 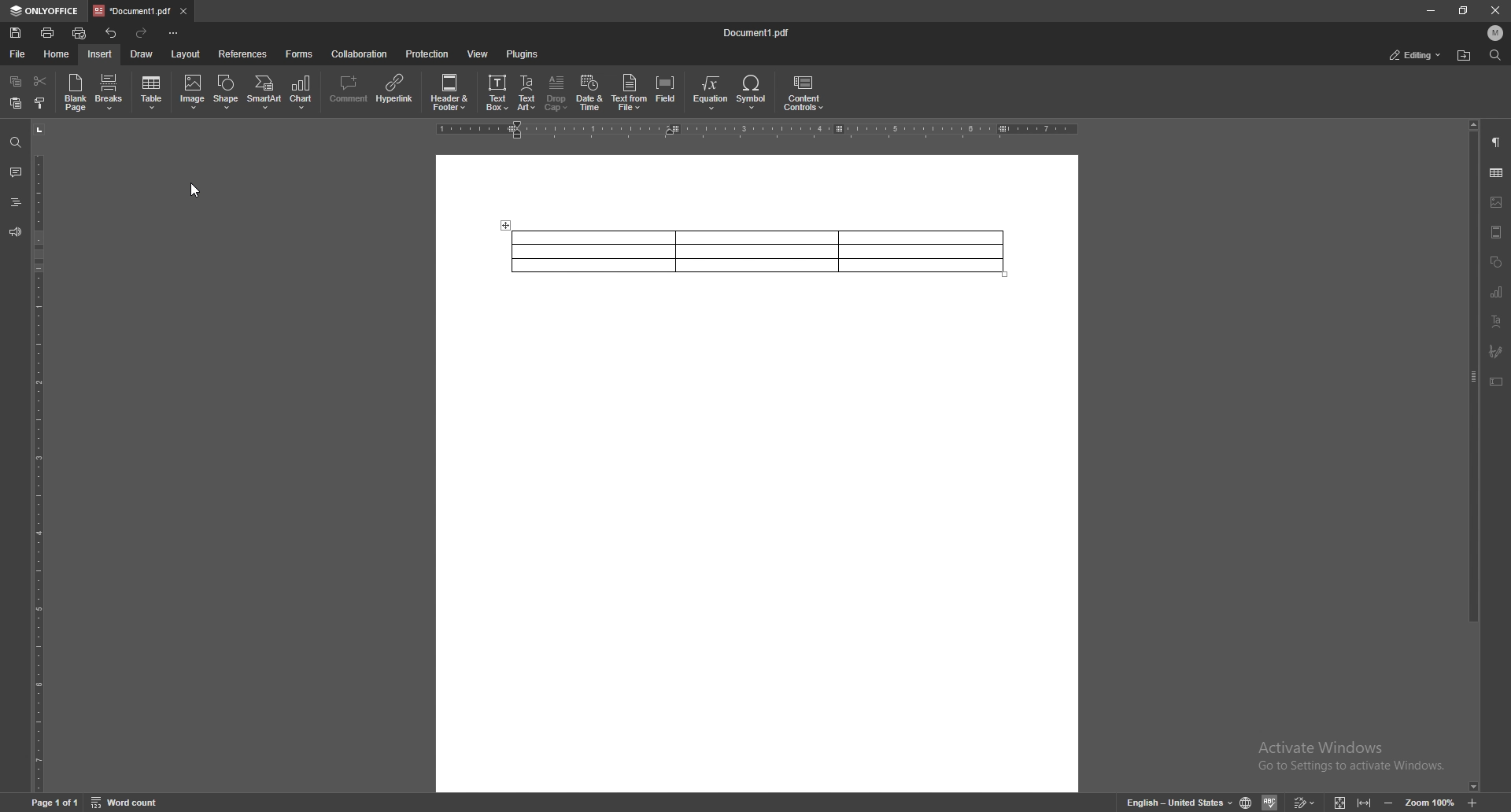 What do you see at coordinates (805, 94) in the screenshot?
I see `content controls` at bounding box center [805, 94].